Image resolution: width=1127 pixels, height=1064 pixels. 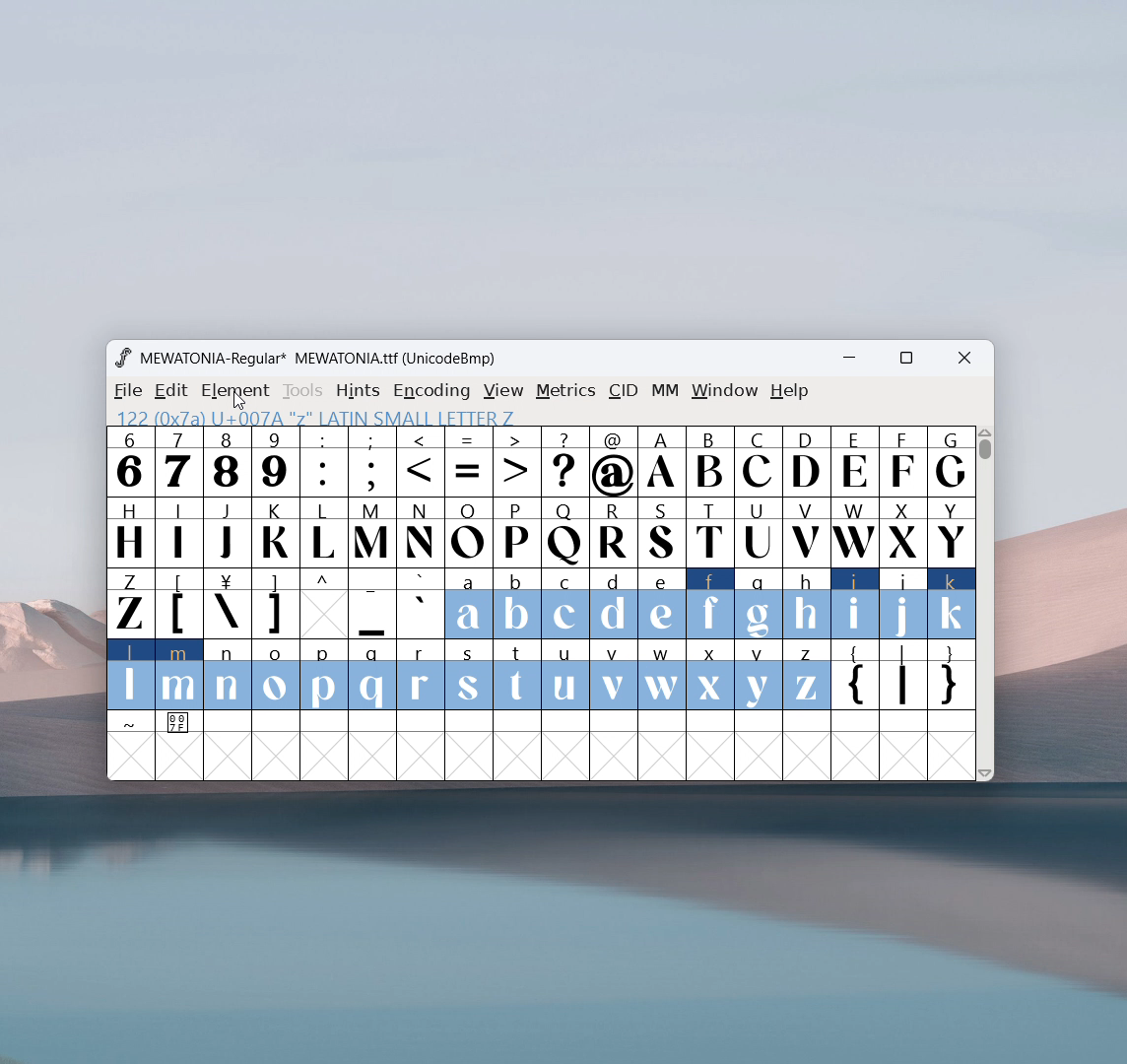 I want to click on E, so click(x=854, y=461).